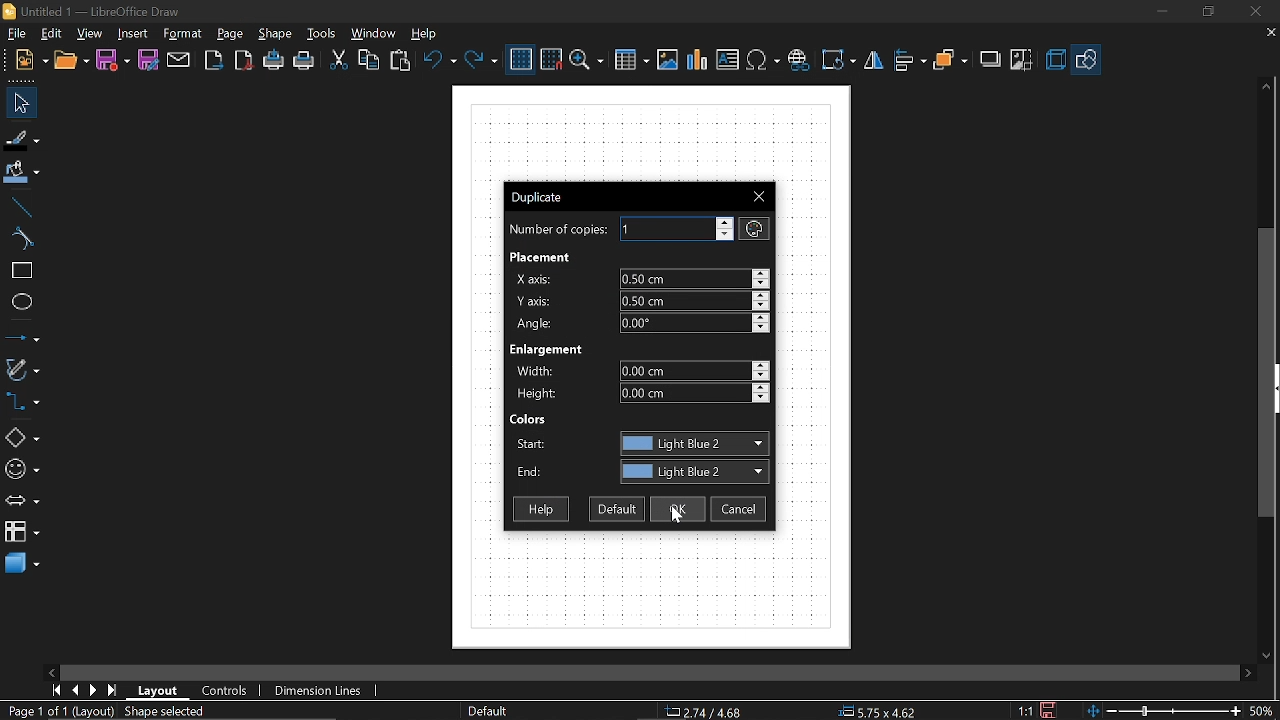 Image resolution: width=1280 pixels, height=720 pixels. What do you see at coordinates (32, 62) in the screenshot?
I see `New` at bounding box center [32, 62].